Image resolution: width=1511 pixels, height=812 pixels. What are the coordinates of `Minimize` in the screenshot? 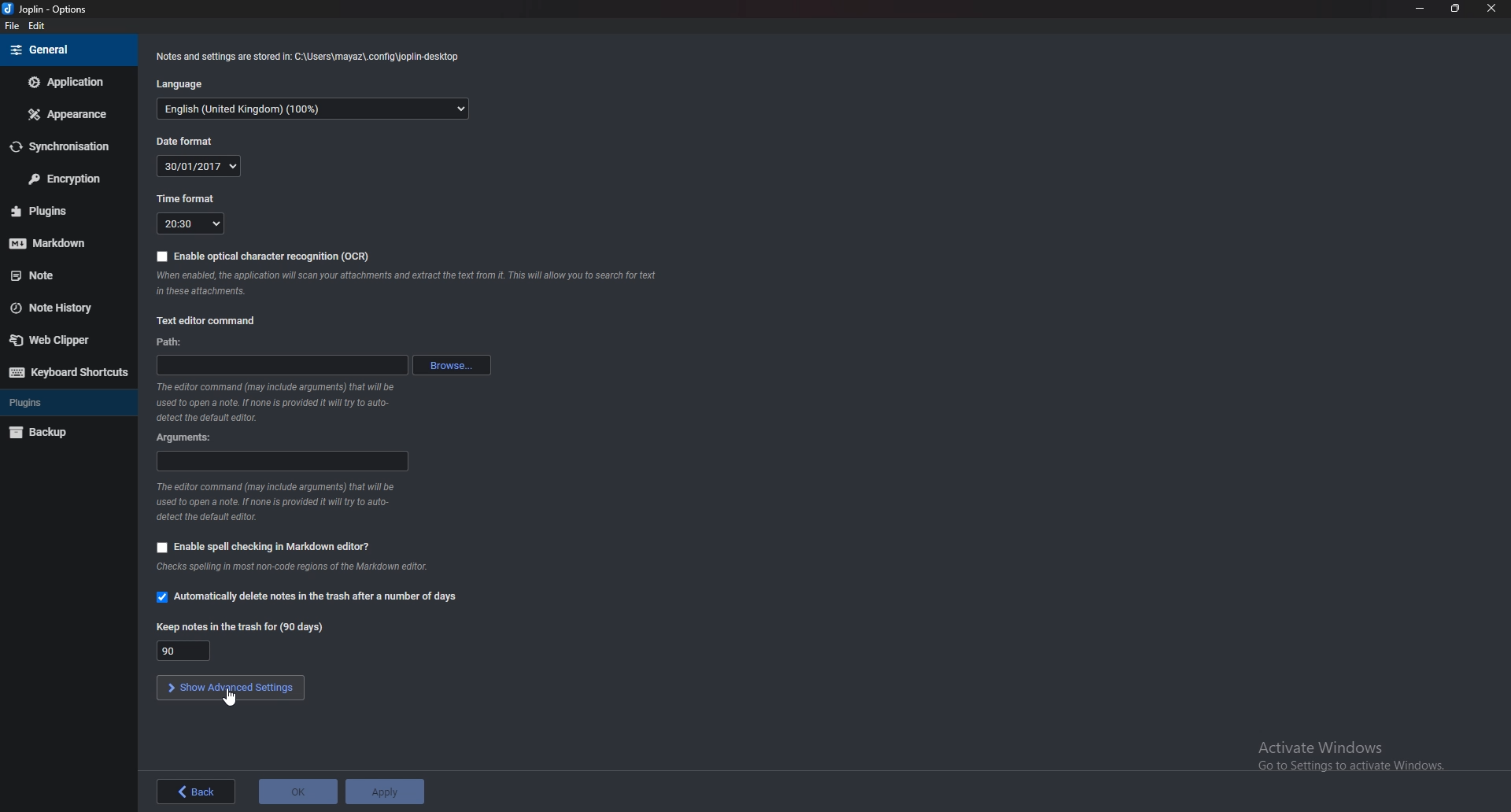 It's located at (1421, 9).